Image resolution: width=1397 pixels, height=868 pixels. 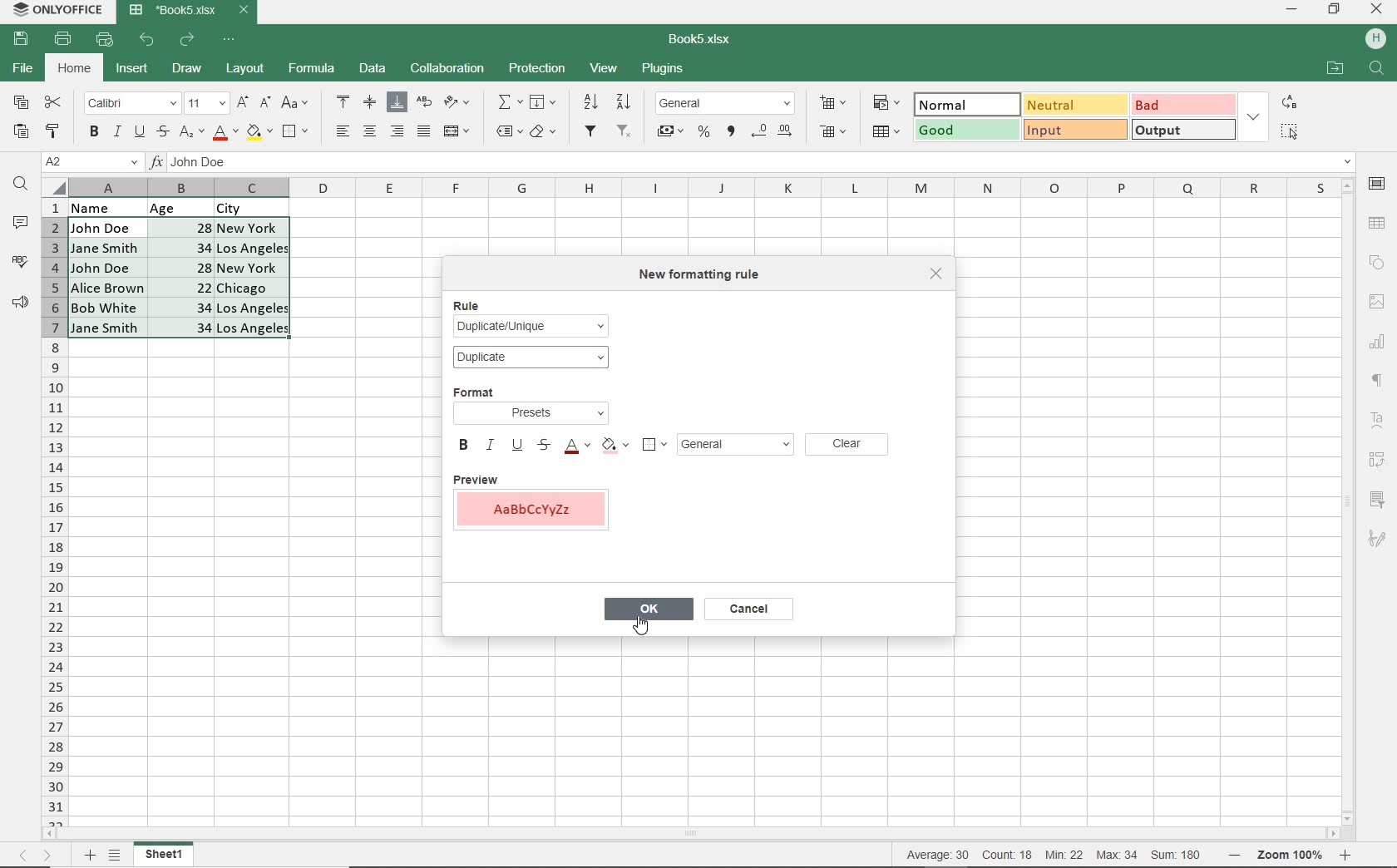 I want to click on CUSTOMIZE QUICK ACCESS TOOLBAR, so click(x=234, y=38).